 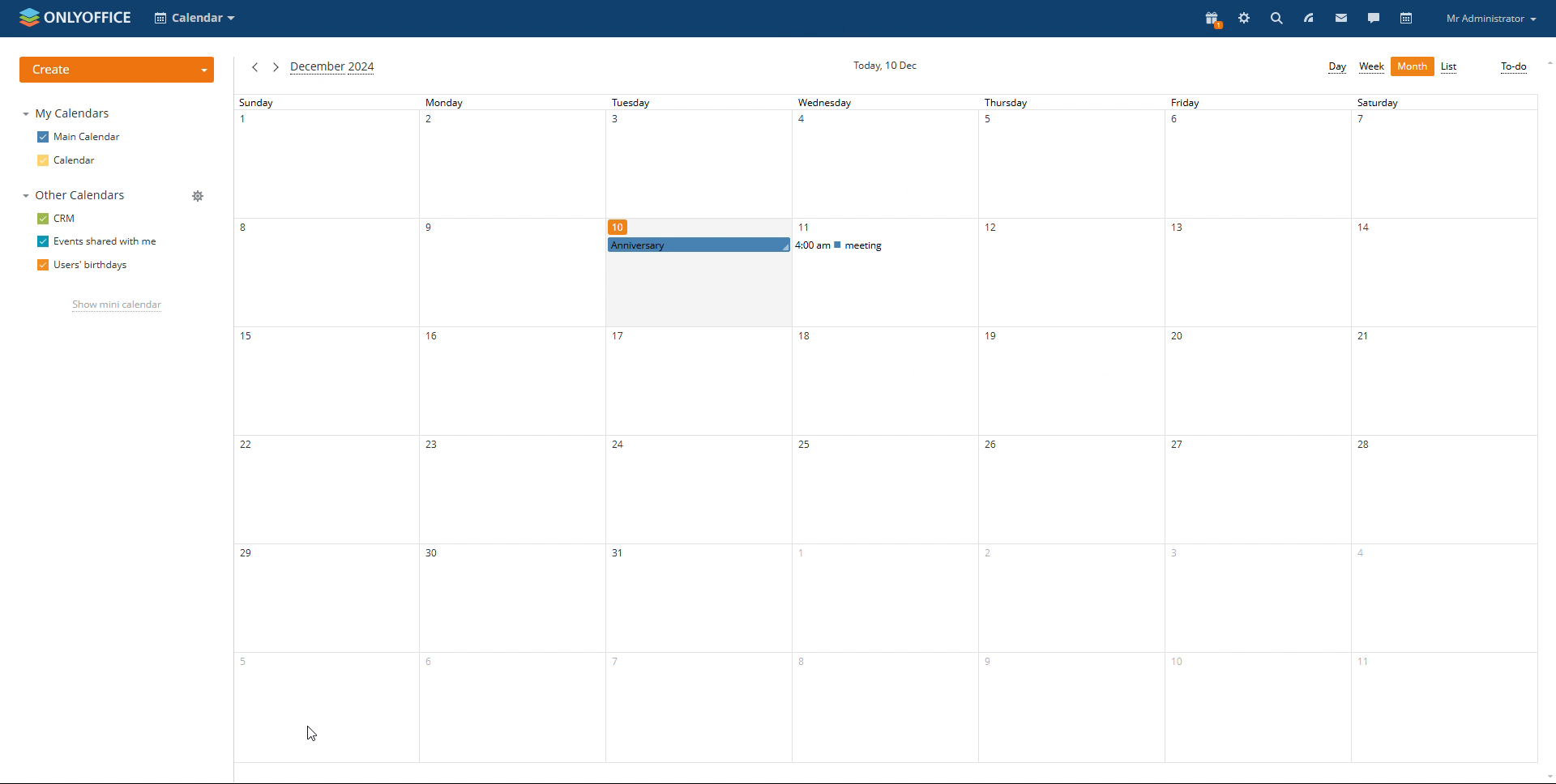 I want to click on events shared with me, so click(x=100, y=241).